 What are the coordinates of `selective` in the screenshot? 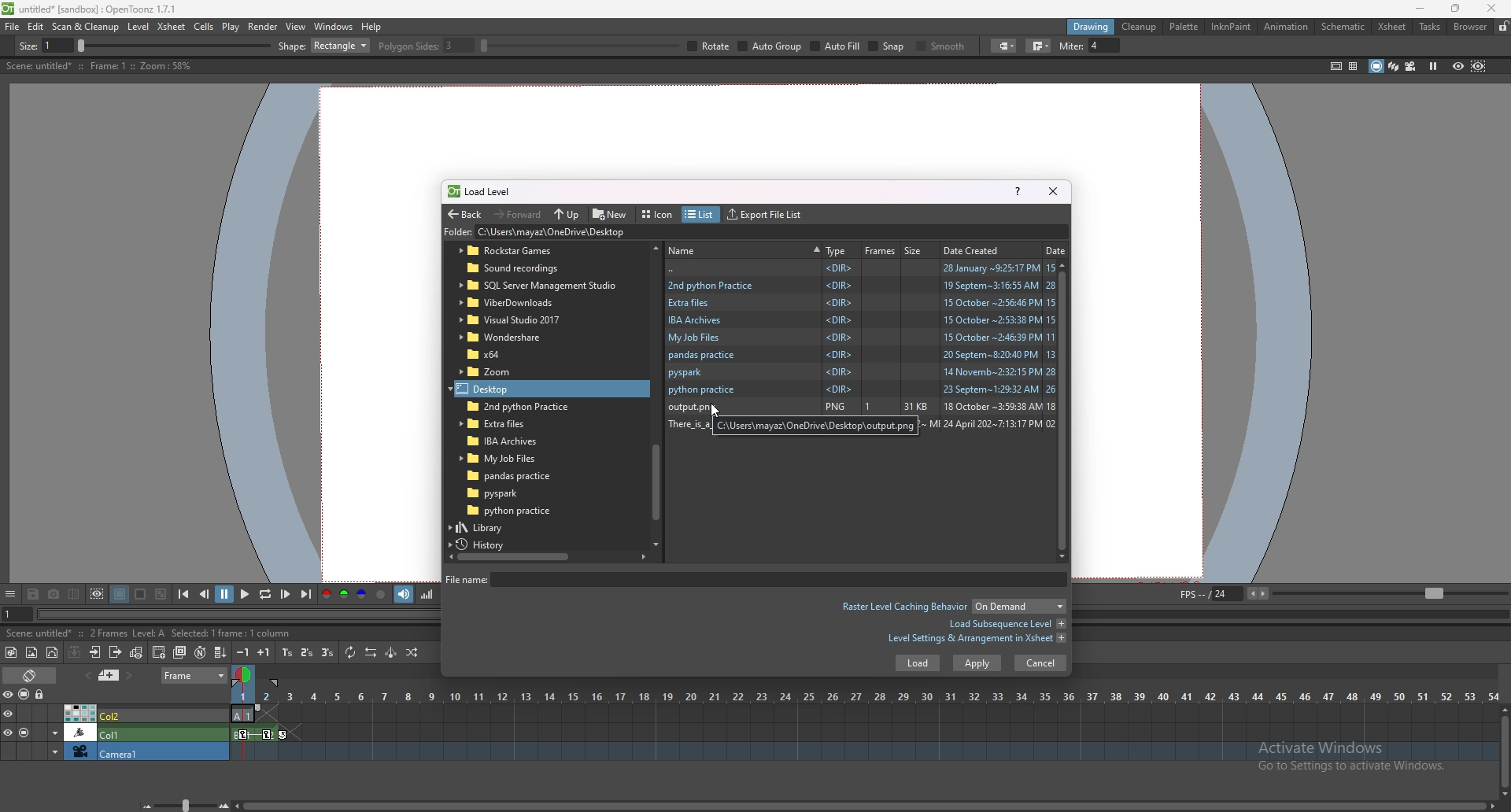 It's located at (1081, 46).